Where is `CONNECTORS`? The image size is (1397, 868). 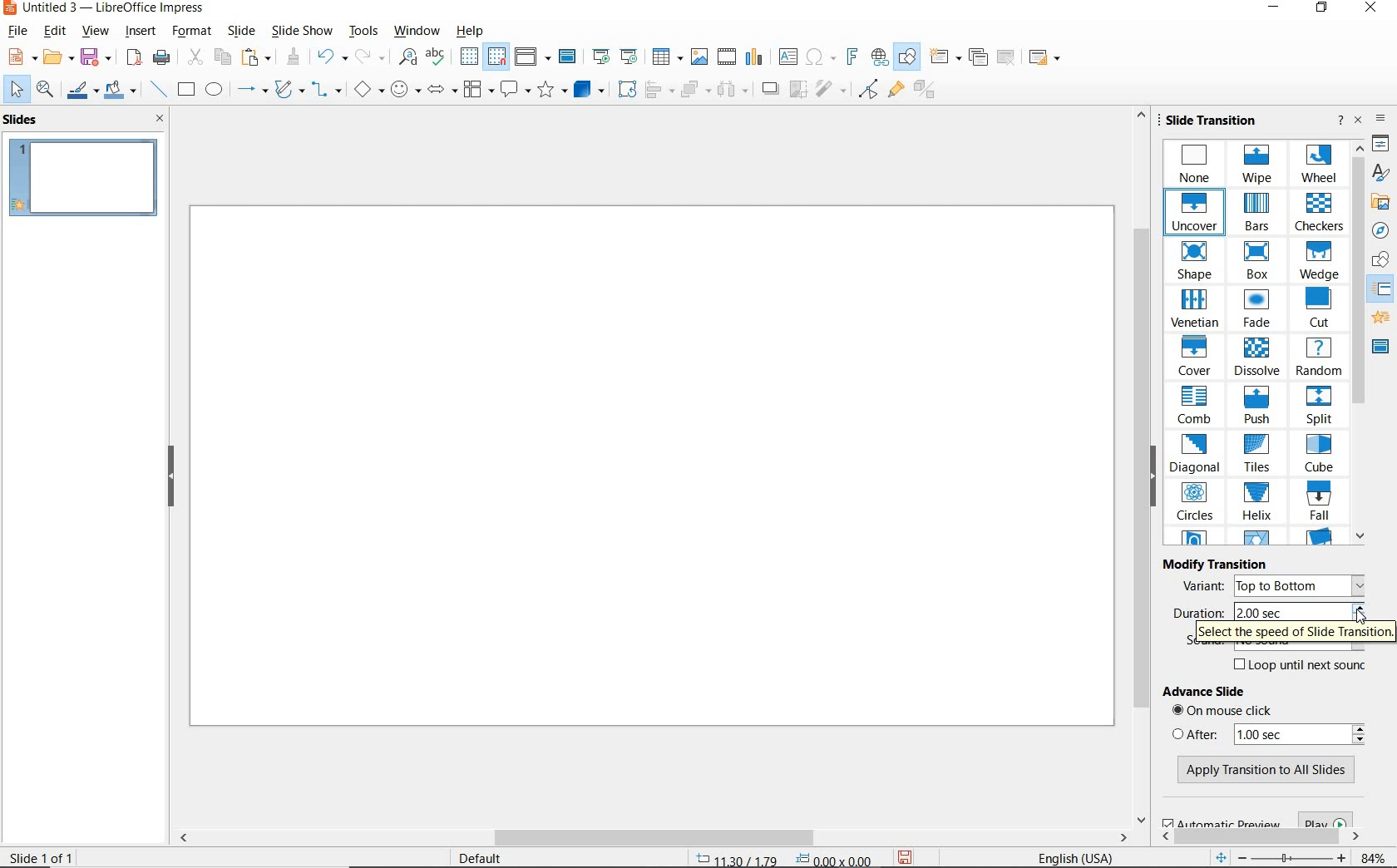 CONNECTORS is located at coordinates (326, 91).